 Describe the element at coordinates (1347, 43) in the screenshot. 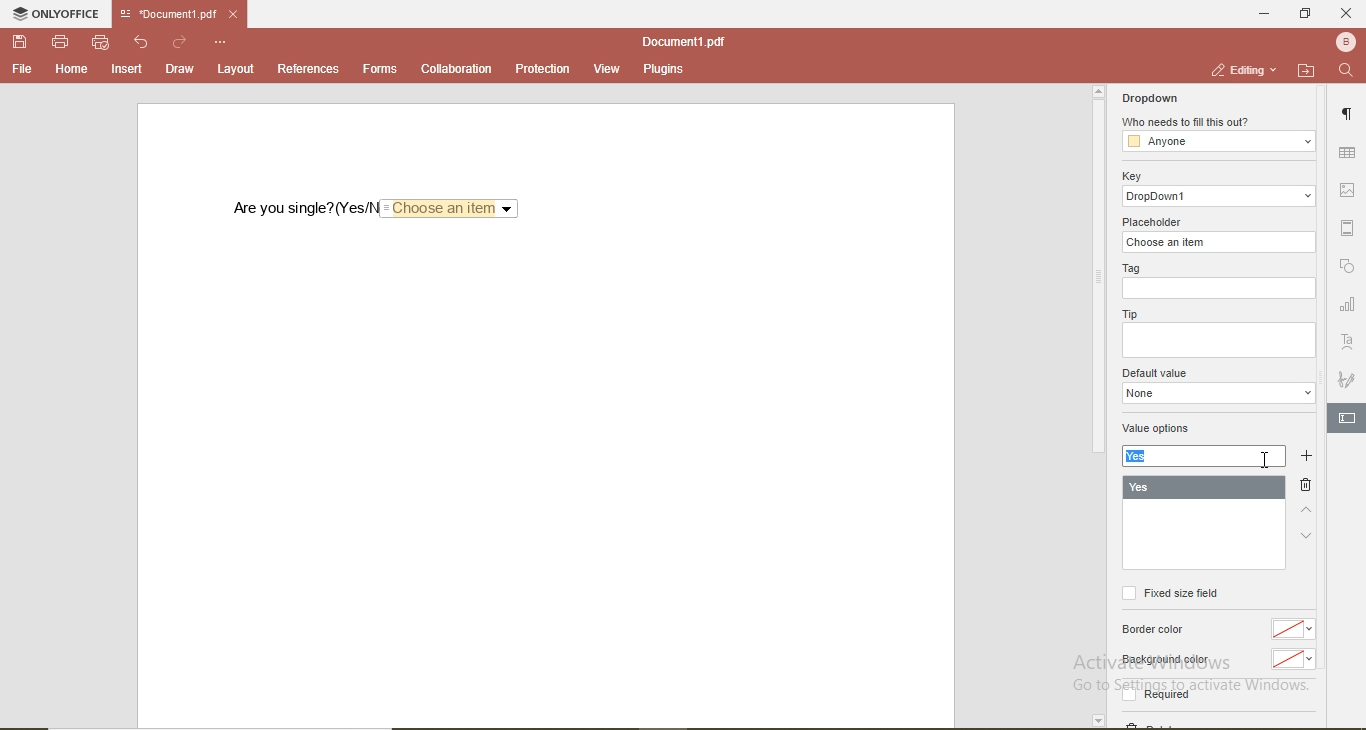

I see `profile` at that location.